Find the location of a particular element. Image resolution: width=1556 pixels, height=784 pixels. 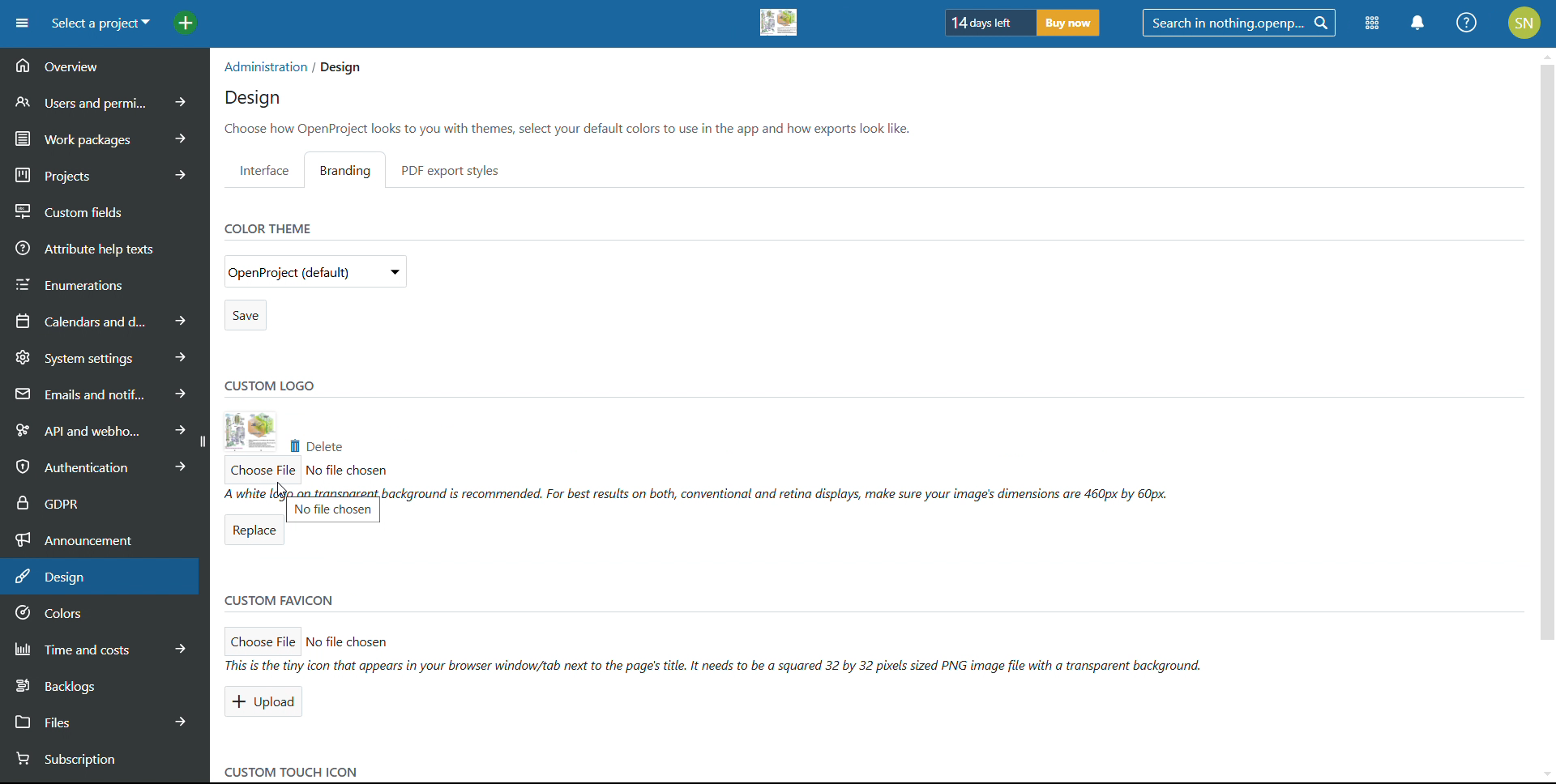

users and permissions is located at coordinates (106, 101).